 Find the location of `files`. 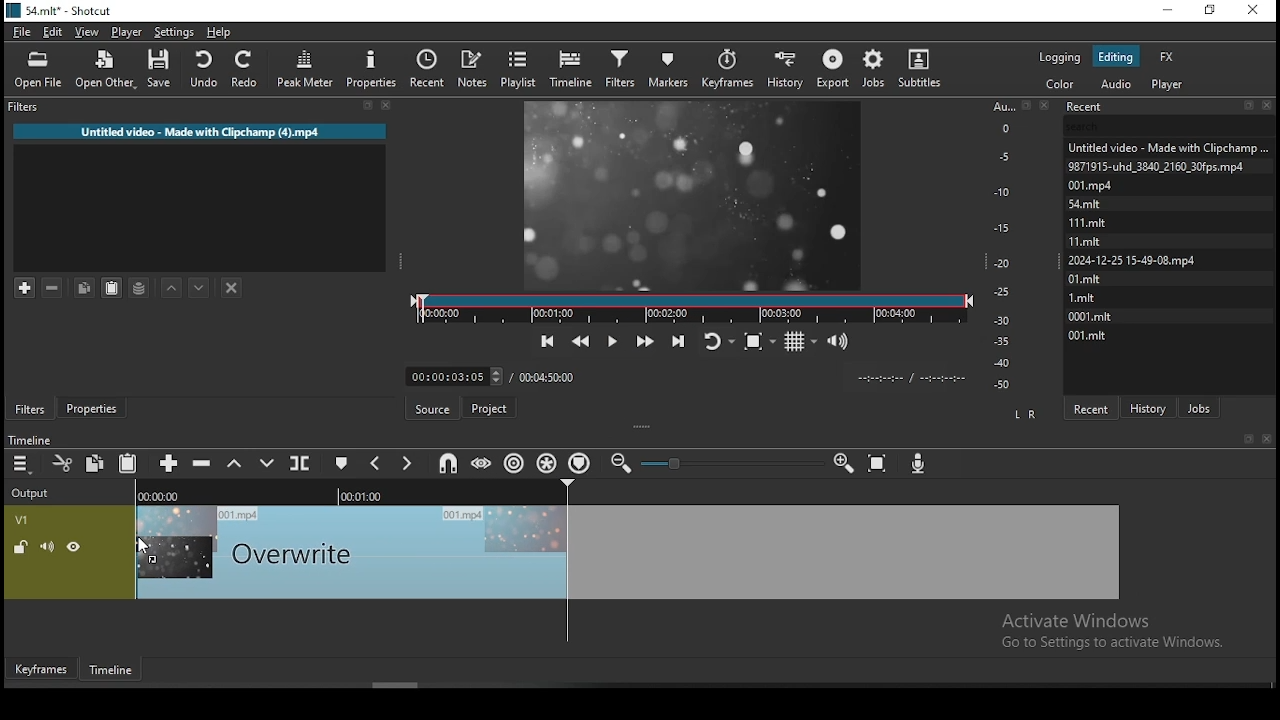

files is located at coordinates (1156, 165).